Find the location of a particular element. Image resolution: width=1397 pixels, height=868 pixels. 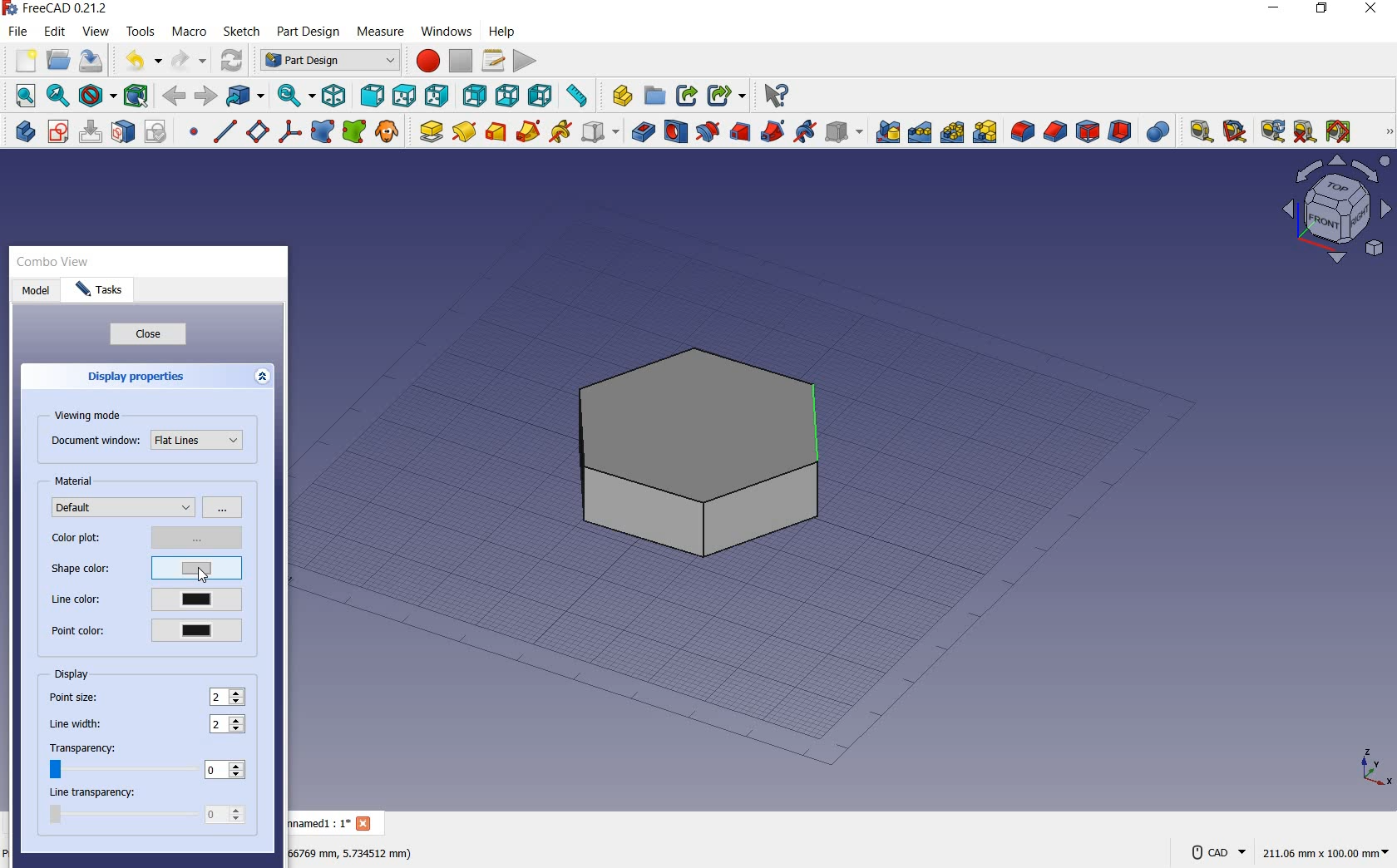

additive helix is located at coordinates (561, 131).